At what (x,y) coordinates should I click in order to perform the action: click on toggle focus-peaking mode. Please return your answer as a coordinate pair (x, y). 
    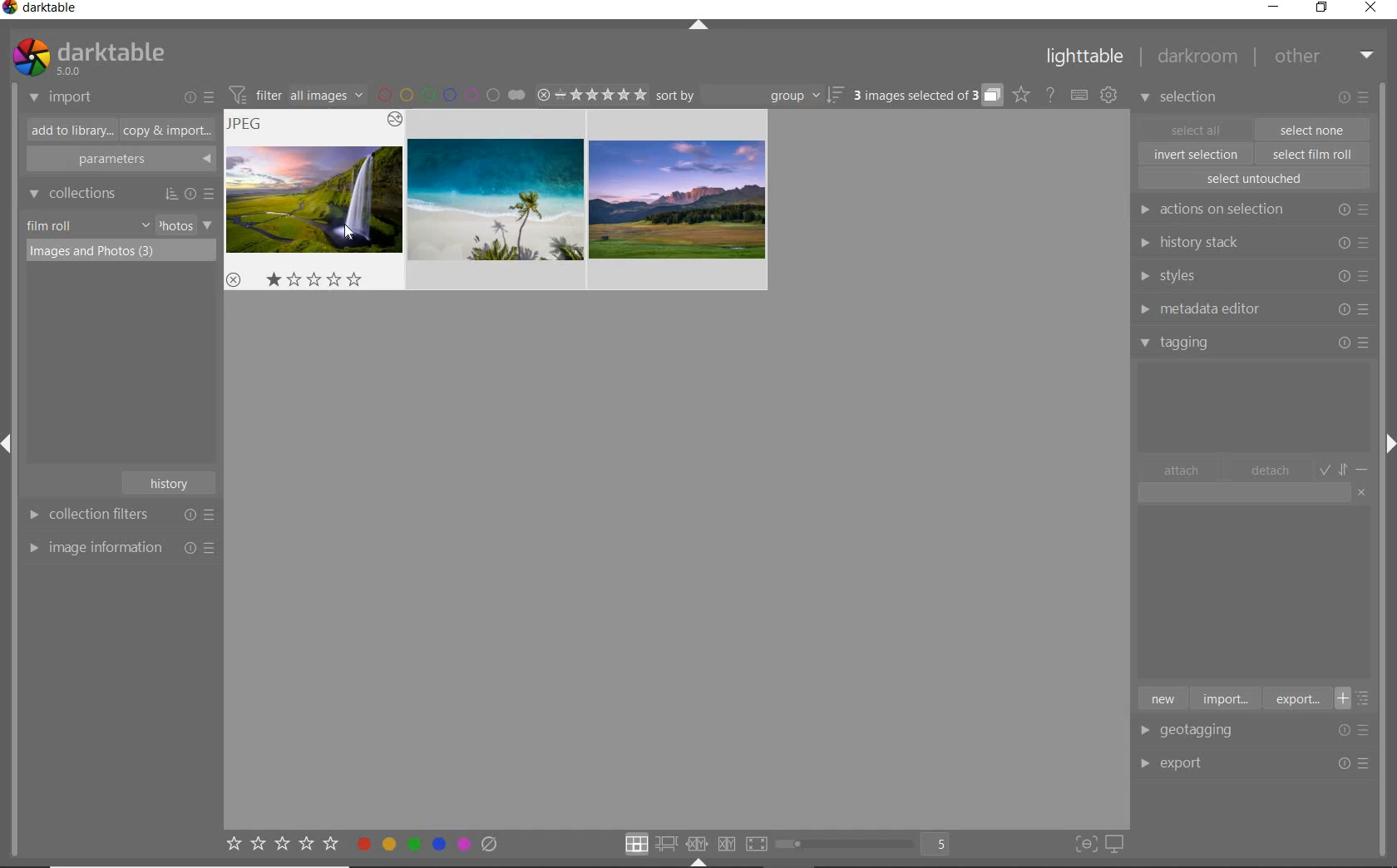
    Looking at the image, I should click on (1084, 842).